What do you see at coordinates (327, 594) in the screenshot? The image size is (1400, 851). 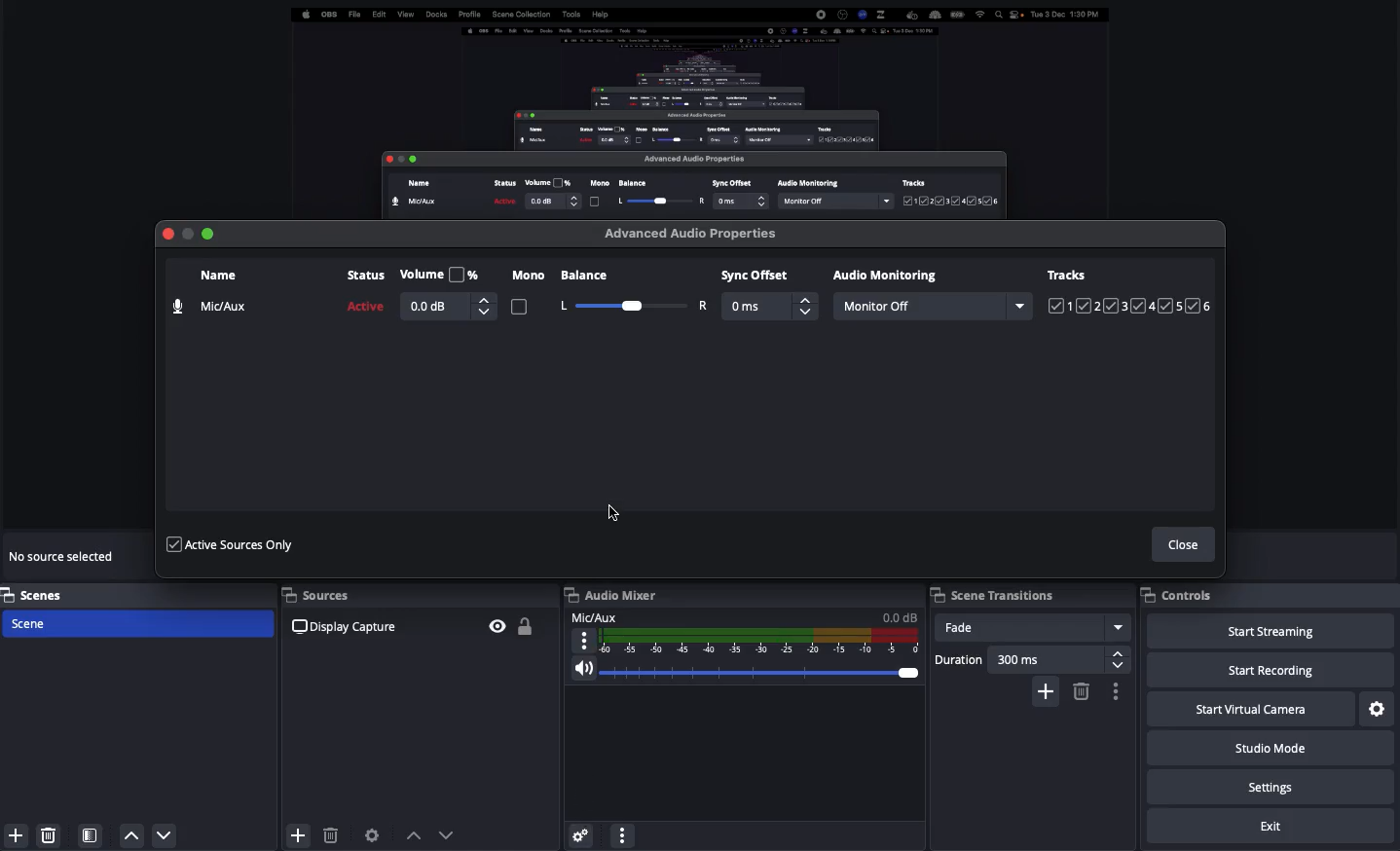 I see `Sources` at bounding box center [327, 594].